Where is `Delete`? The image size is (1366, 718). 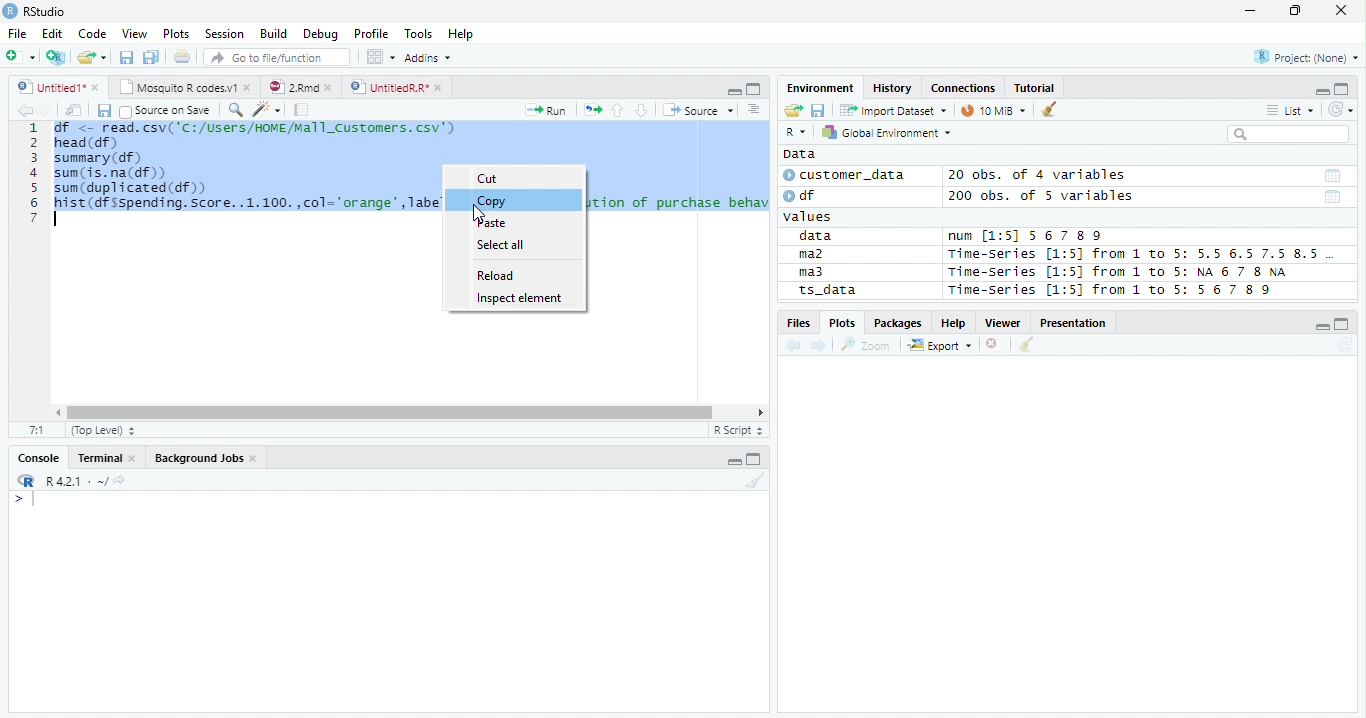 Delete is located at coordinates (995, 345).